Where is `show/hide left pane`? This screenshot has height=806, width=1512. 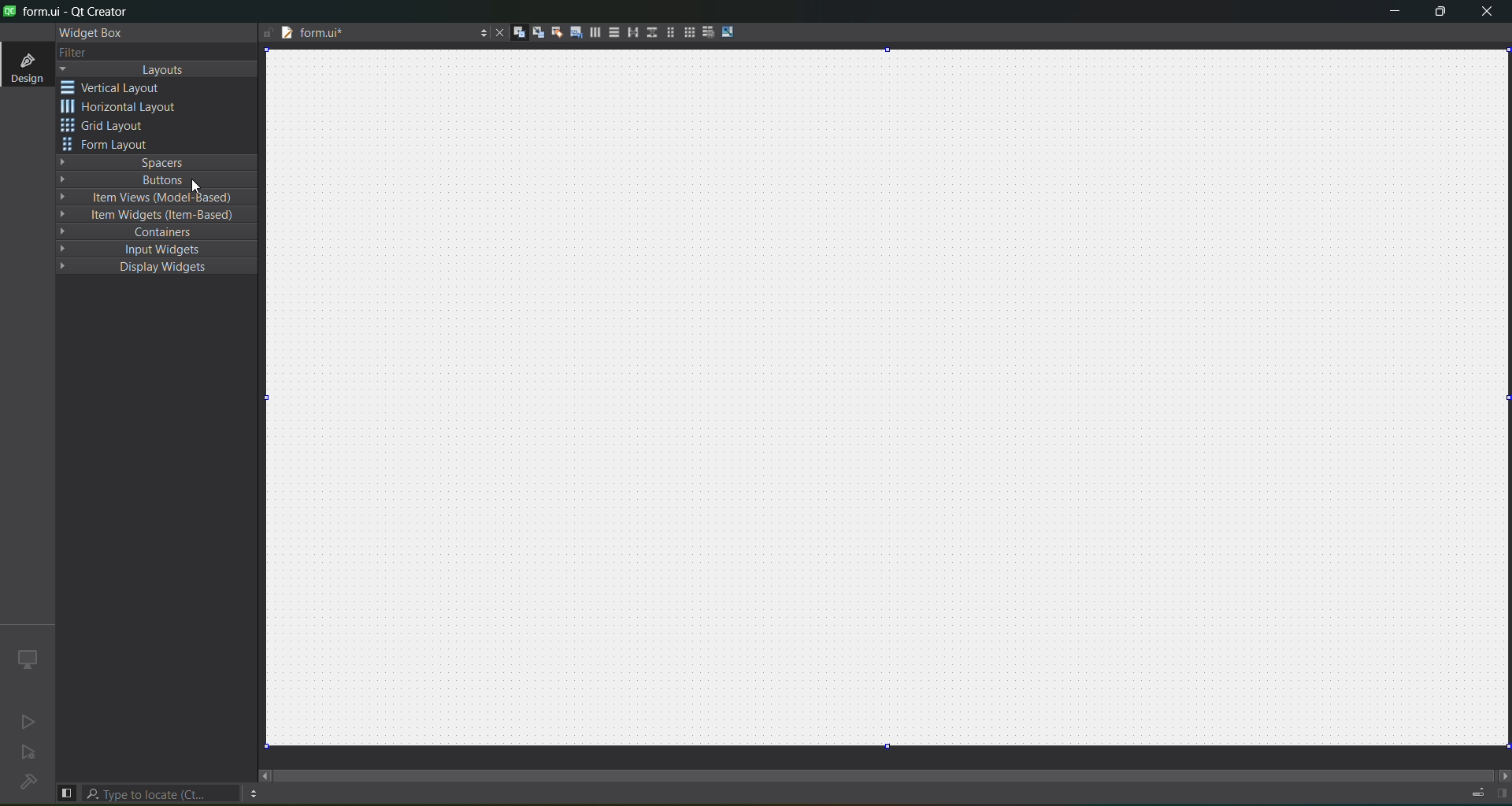 show/hide left pane is located at coordinates (66, 792).